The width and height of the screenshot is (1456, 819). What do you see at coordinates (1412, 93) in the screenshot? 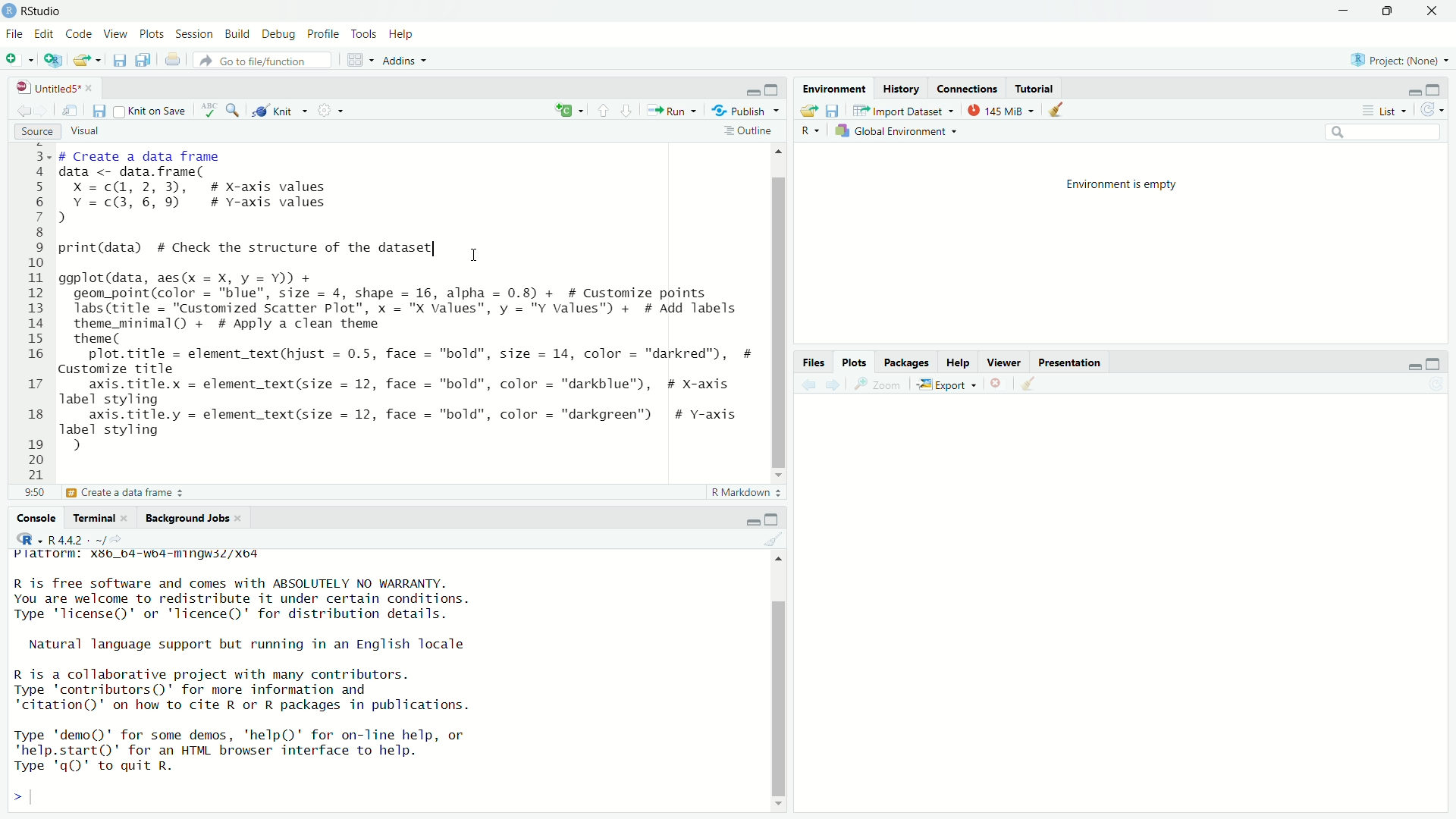
I see `Minimize` at bounding box center [1412, 93].